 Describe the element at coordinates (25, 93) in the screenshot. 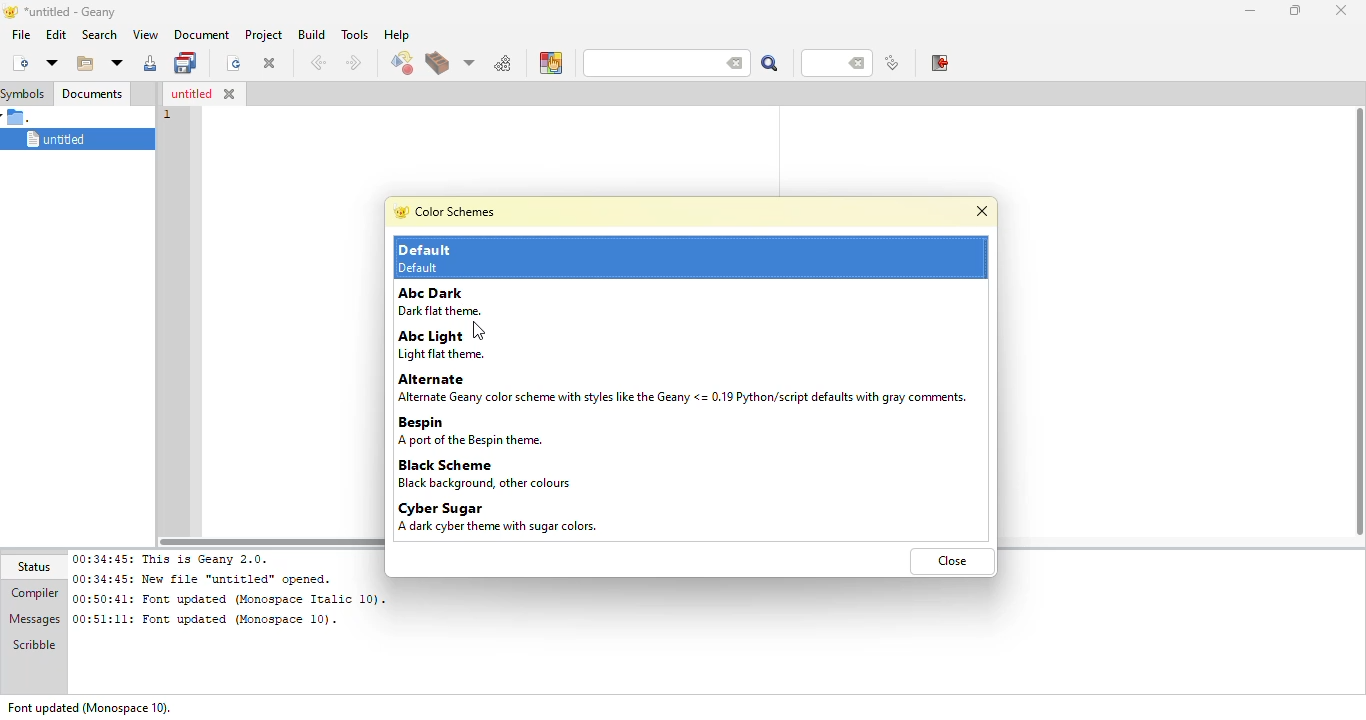

I see `symbols` at that location.